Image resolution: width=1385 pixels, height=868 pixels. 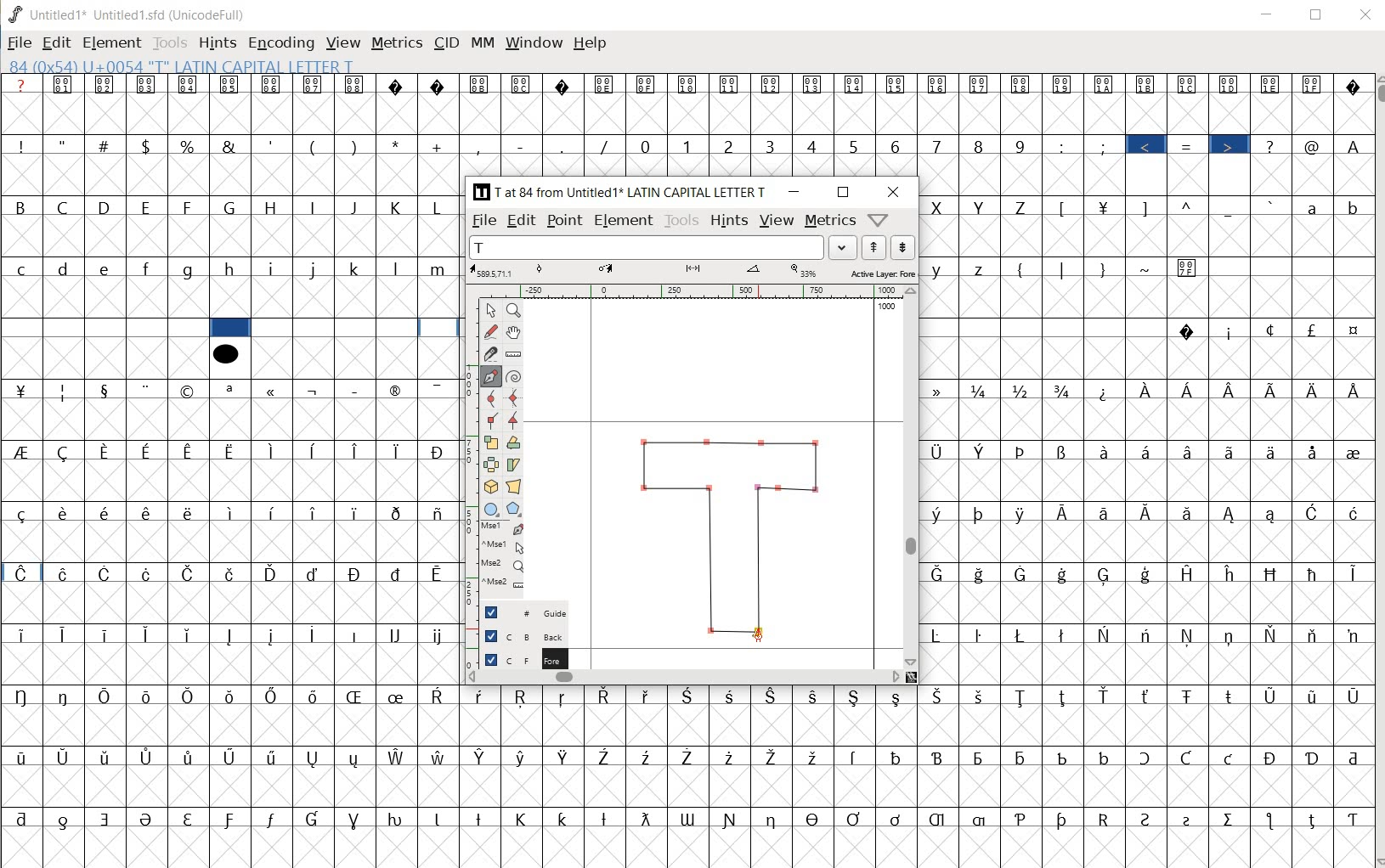 What do you see at coordinates (1189, 511) in the screenshot?
I see `Symbol` at bounding box center [1189, 511].